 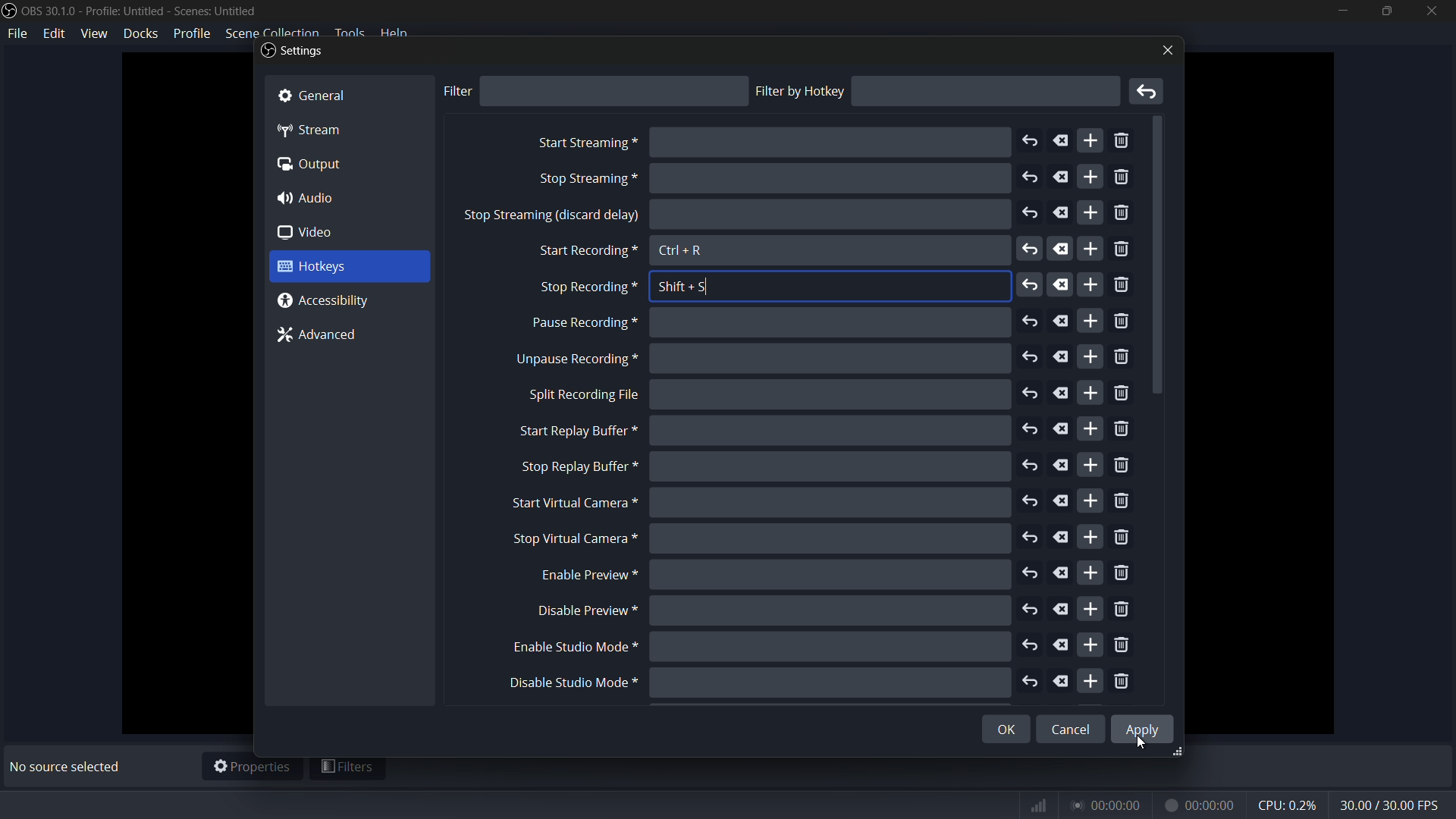 What do you see at coordinates (191, 33) in the screenshot?
I see `profile menu` at bounding box center [191, 33].